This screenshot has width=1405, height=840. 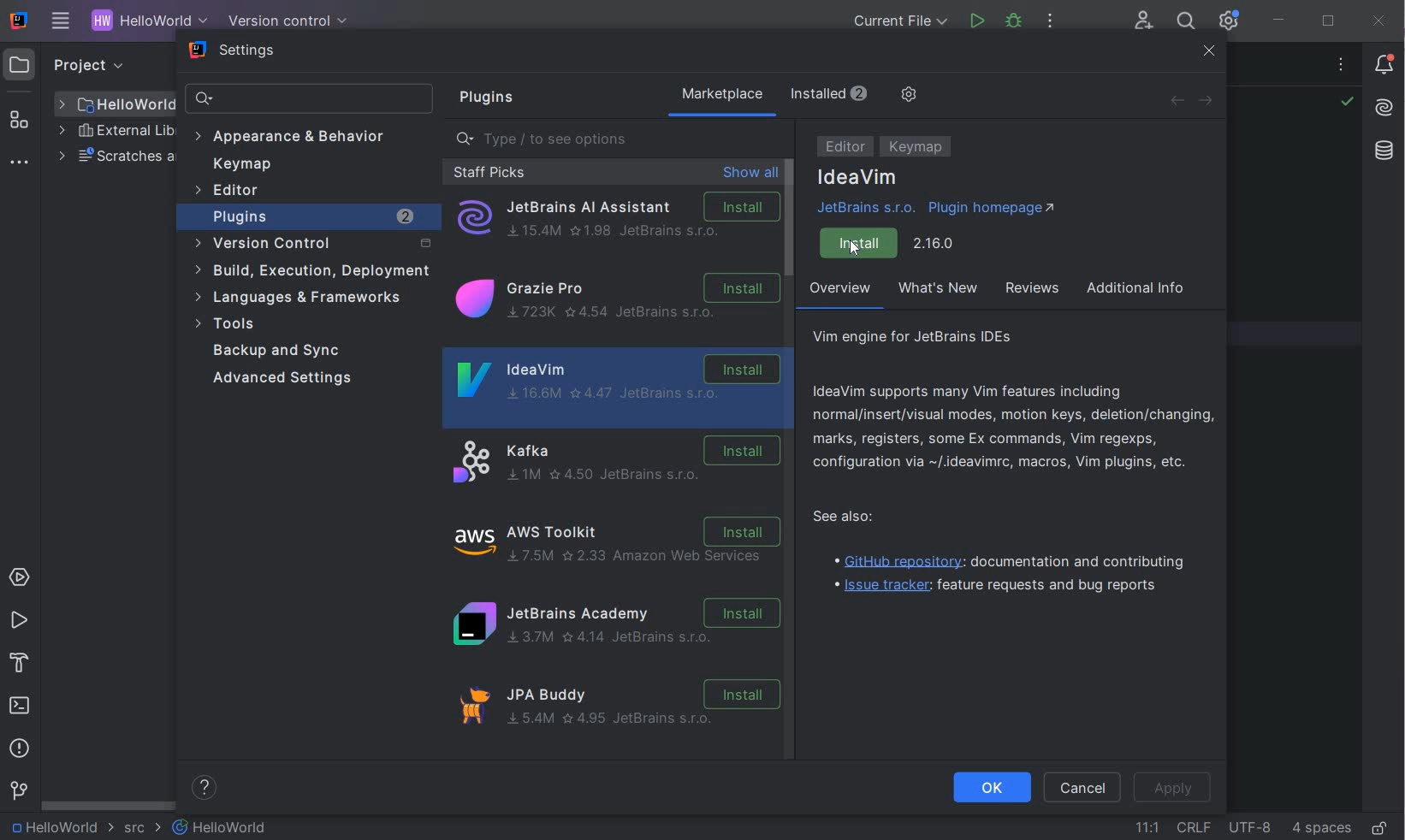 I want to click on CANEL, so click(x=1085, y=789).